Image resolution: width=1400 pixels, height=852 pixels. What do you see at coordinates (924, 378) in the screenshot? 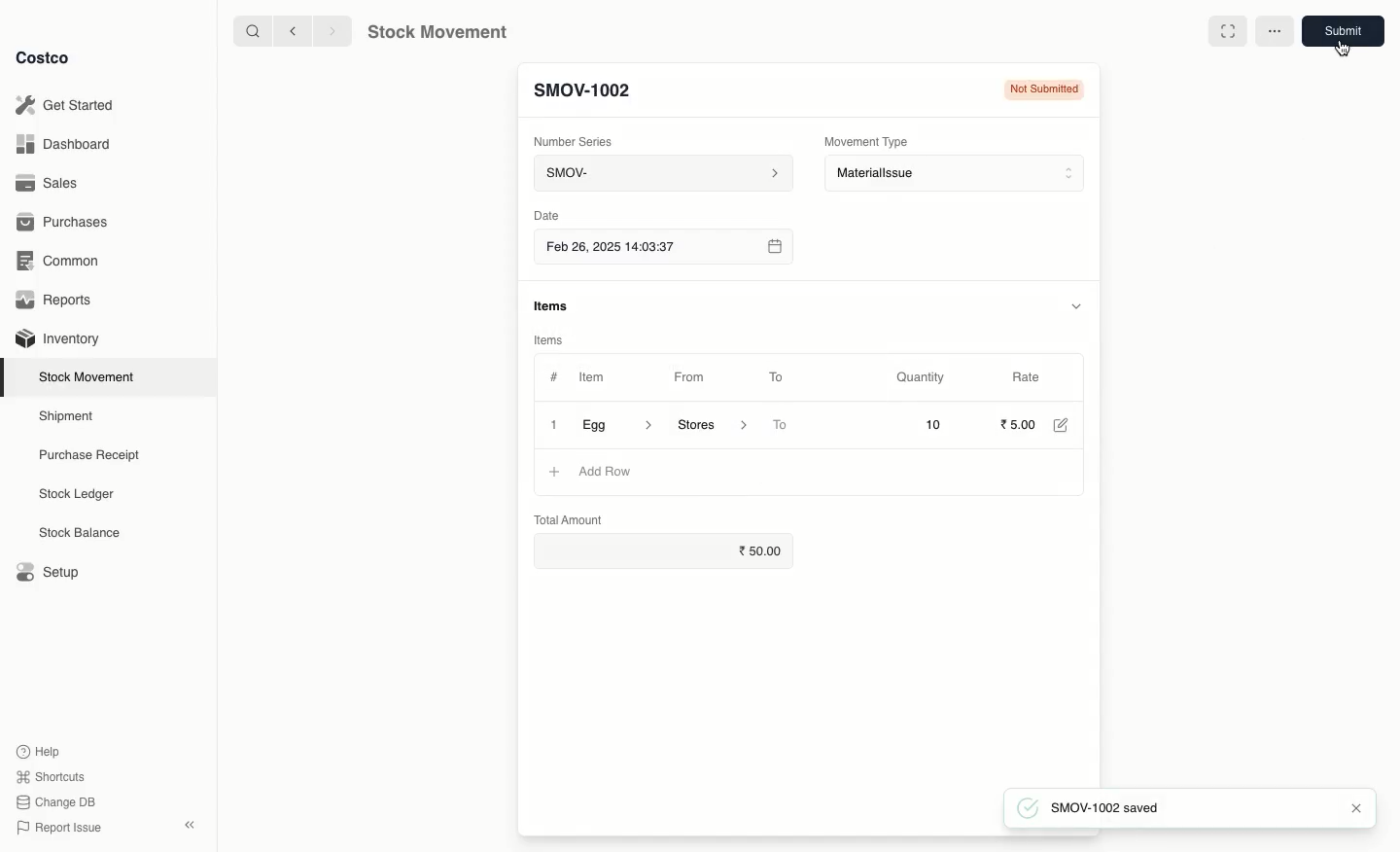
I see `Quantity` at bounding box center [924, 378].